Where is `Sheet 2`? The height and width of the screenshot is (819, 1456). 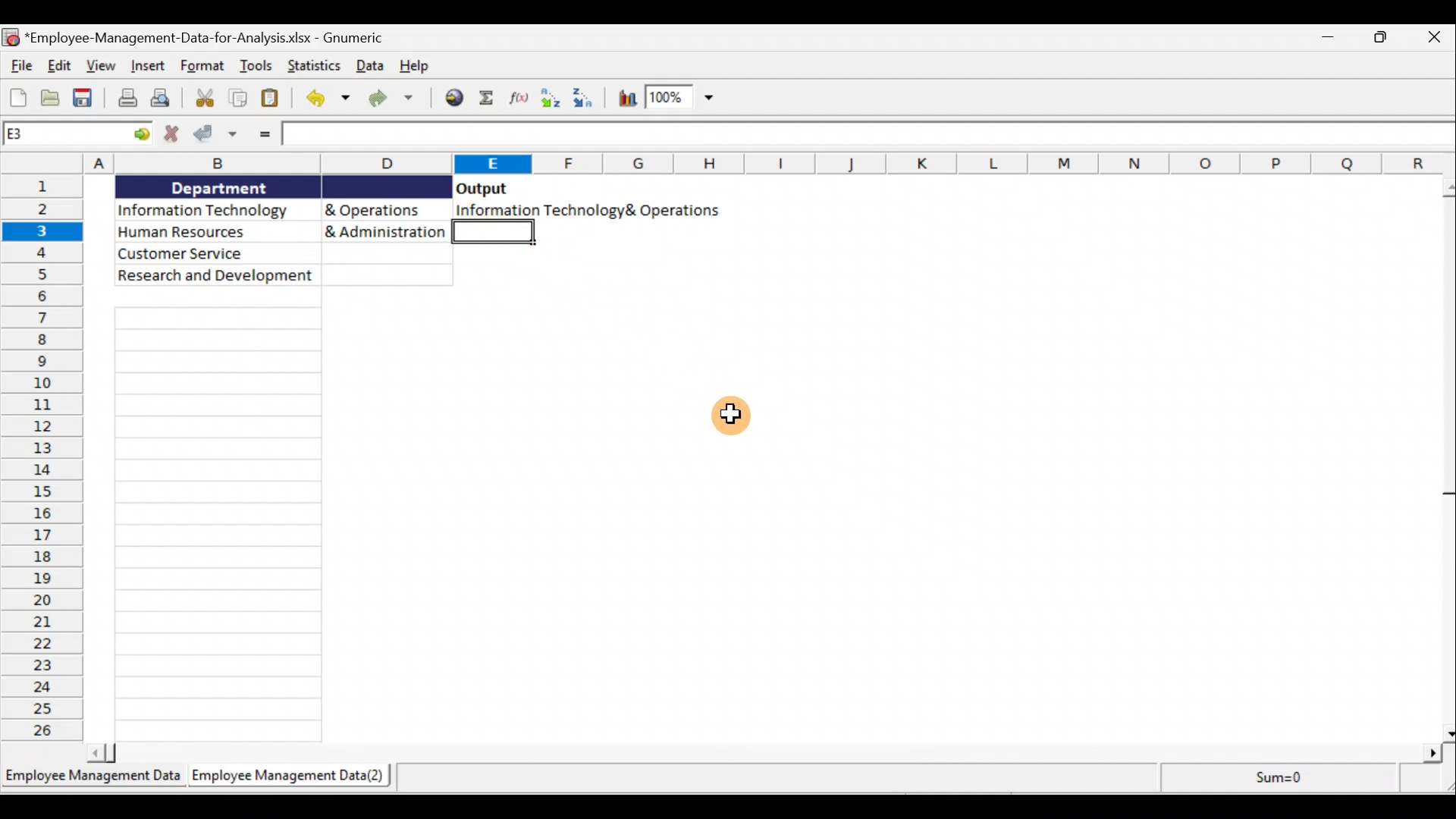 Sheet 2 is located at coordinates (293, 777).